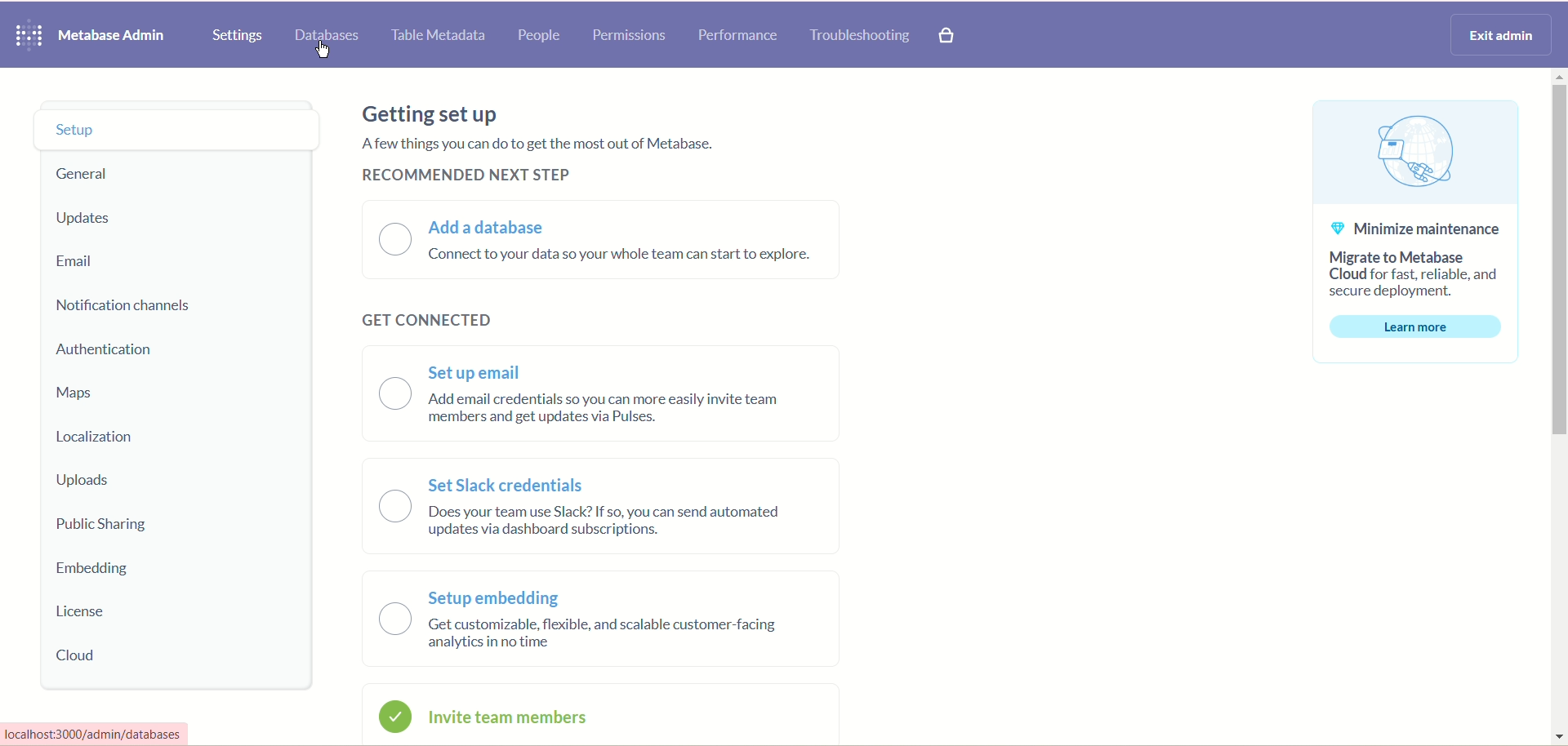 The width and height of the screenshot is (1568, 746). Describe the element at coordinates (390, 553) in the screenshot. I see `toggle button` at that location.